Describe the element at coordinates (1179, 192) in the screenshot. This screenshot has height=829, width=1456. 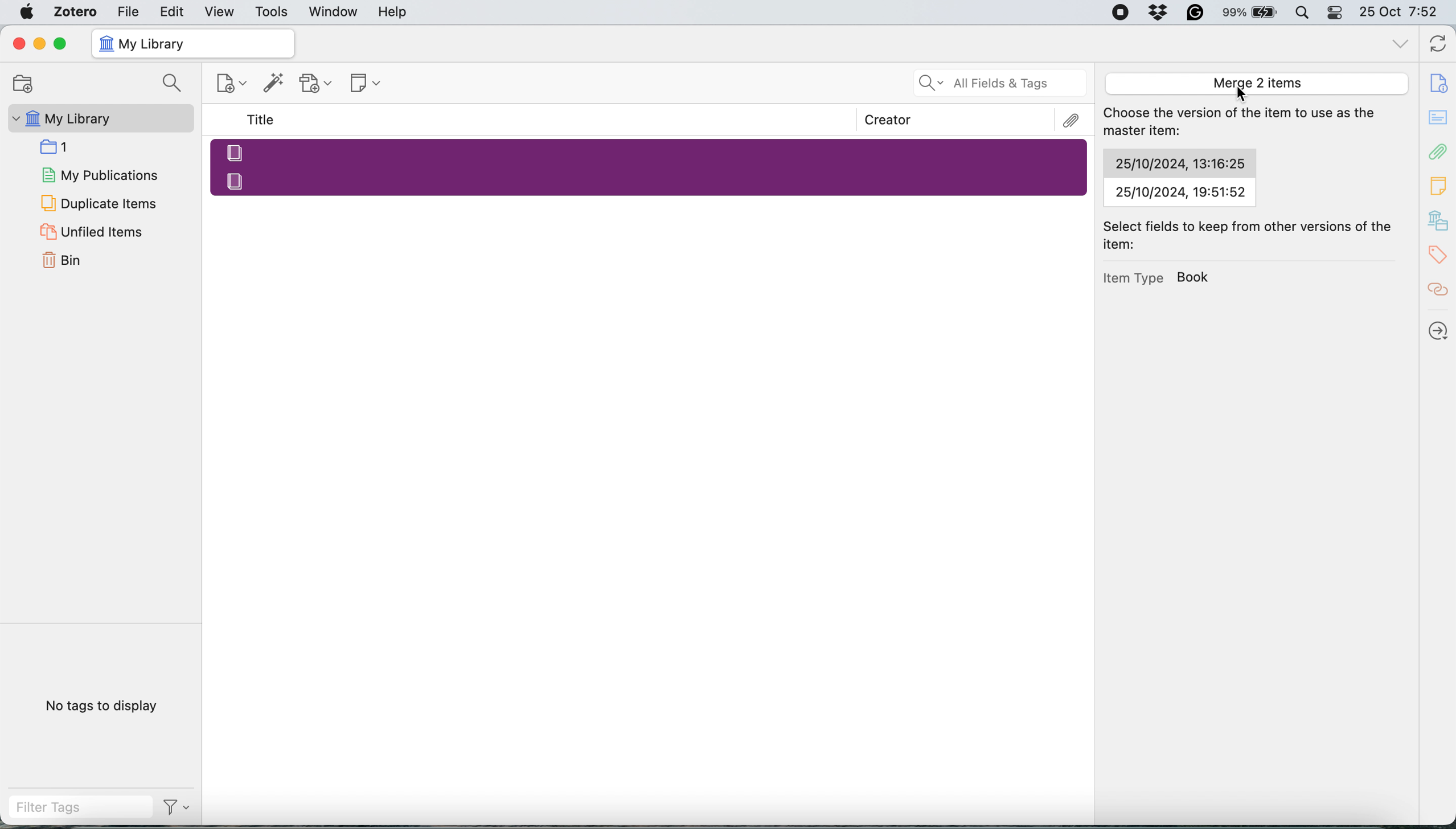
I see `25/10/2024, 19:51:52` at that location.